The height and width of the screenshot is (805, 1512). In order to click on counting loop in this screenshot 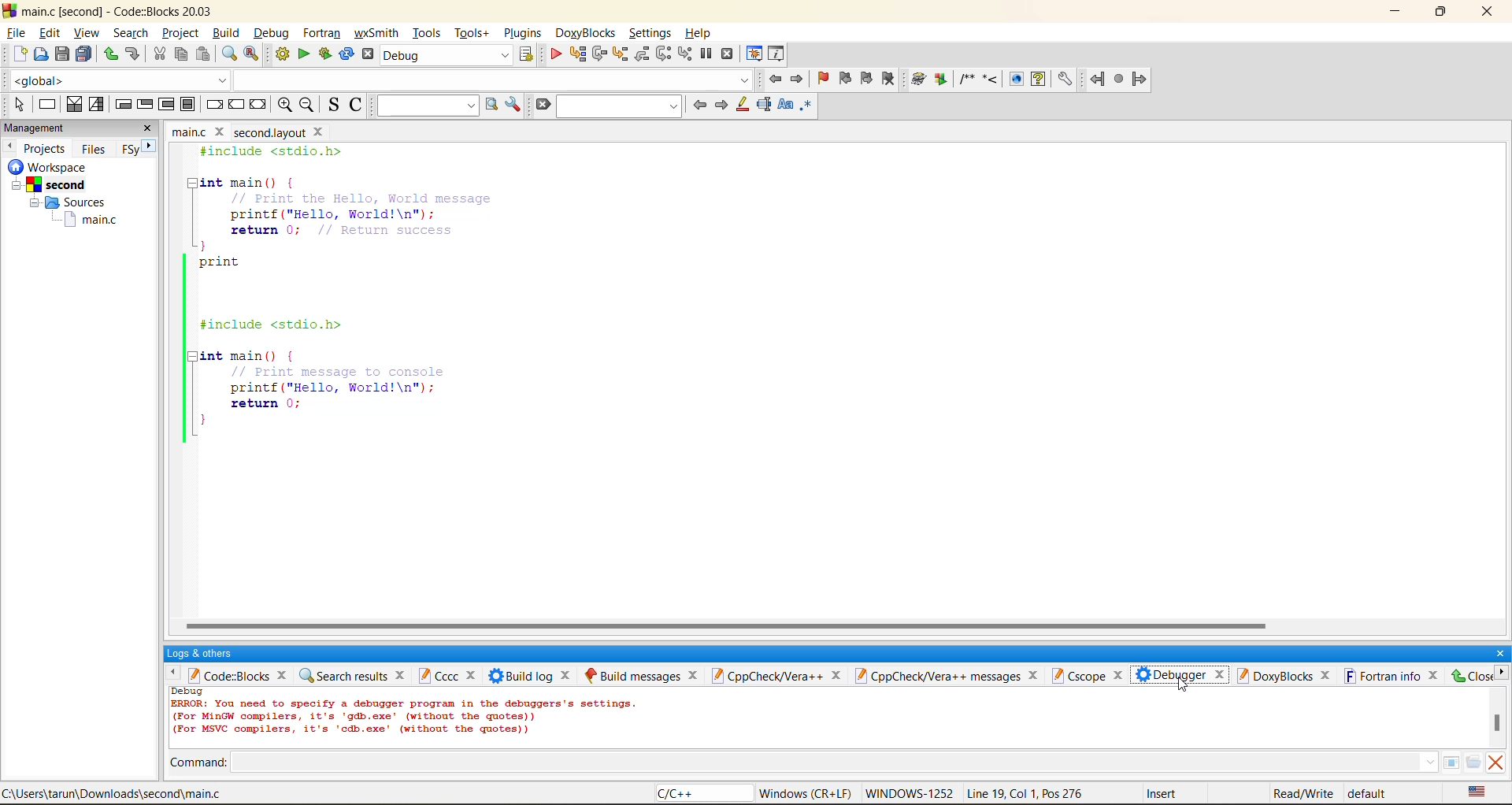, I will do `click(164, 105)`.